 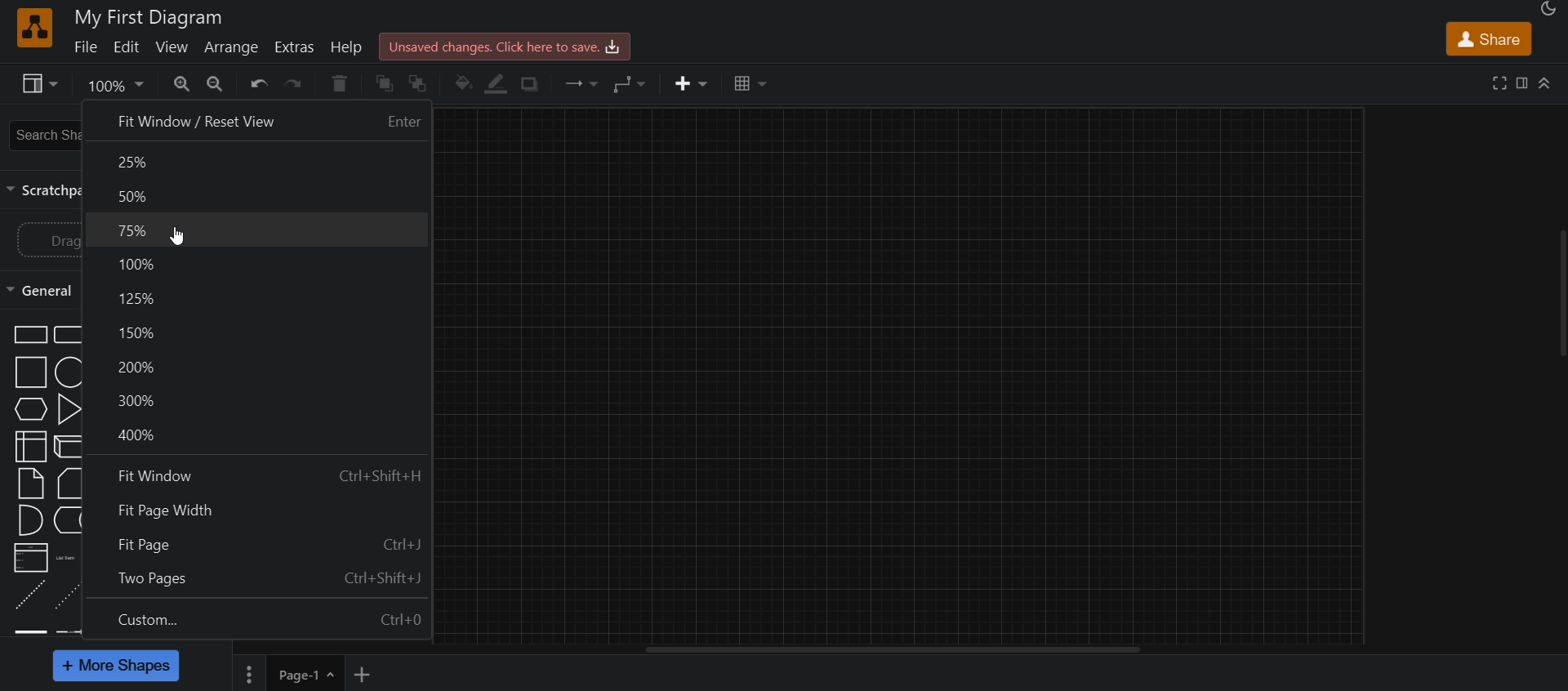 What do you see at coordinates (1521, 83) in the screenshot?
I see `format` at bounding box center [1521, 83].